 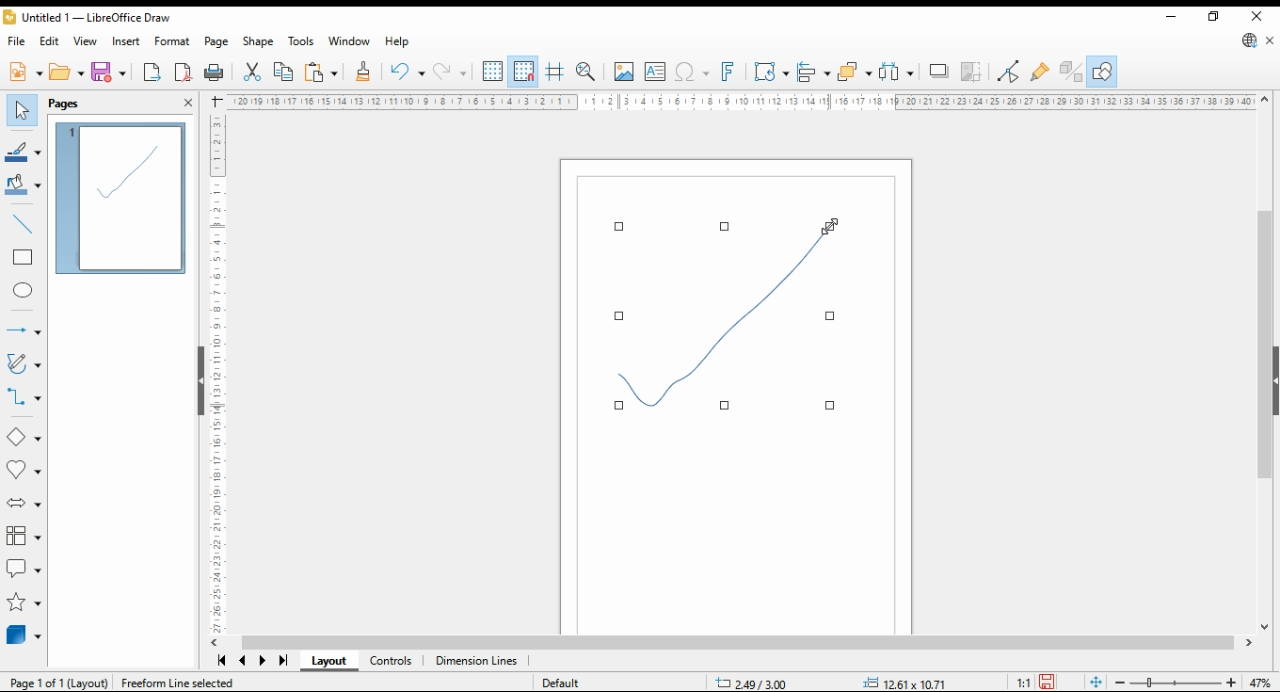 I want to click on basic shapes, so click(x=23, y=435).